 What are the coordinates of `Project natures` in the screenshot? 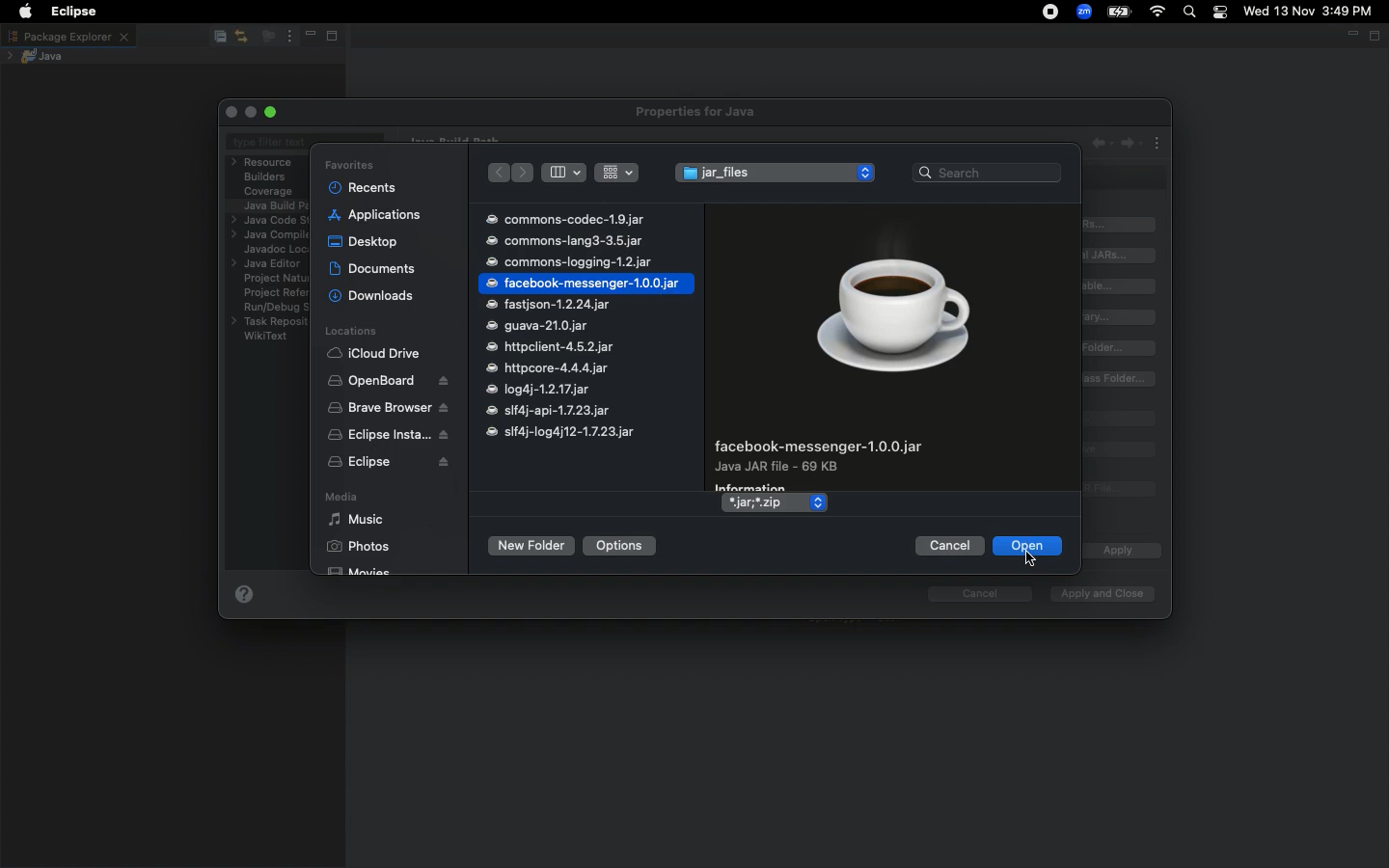 It's located at (270, 281).